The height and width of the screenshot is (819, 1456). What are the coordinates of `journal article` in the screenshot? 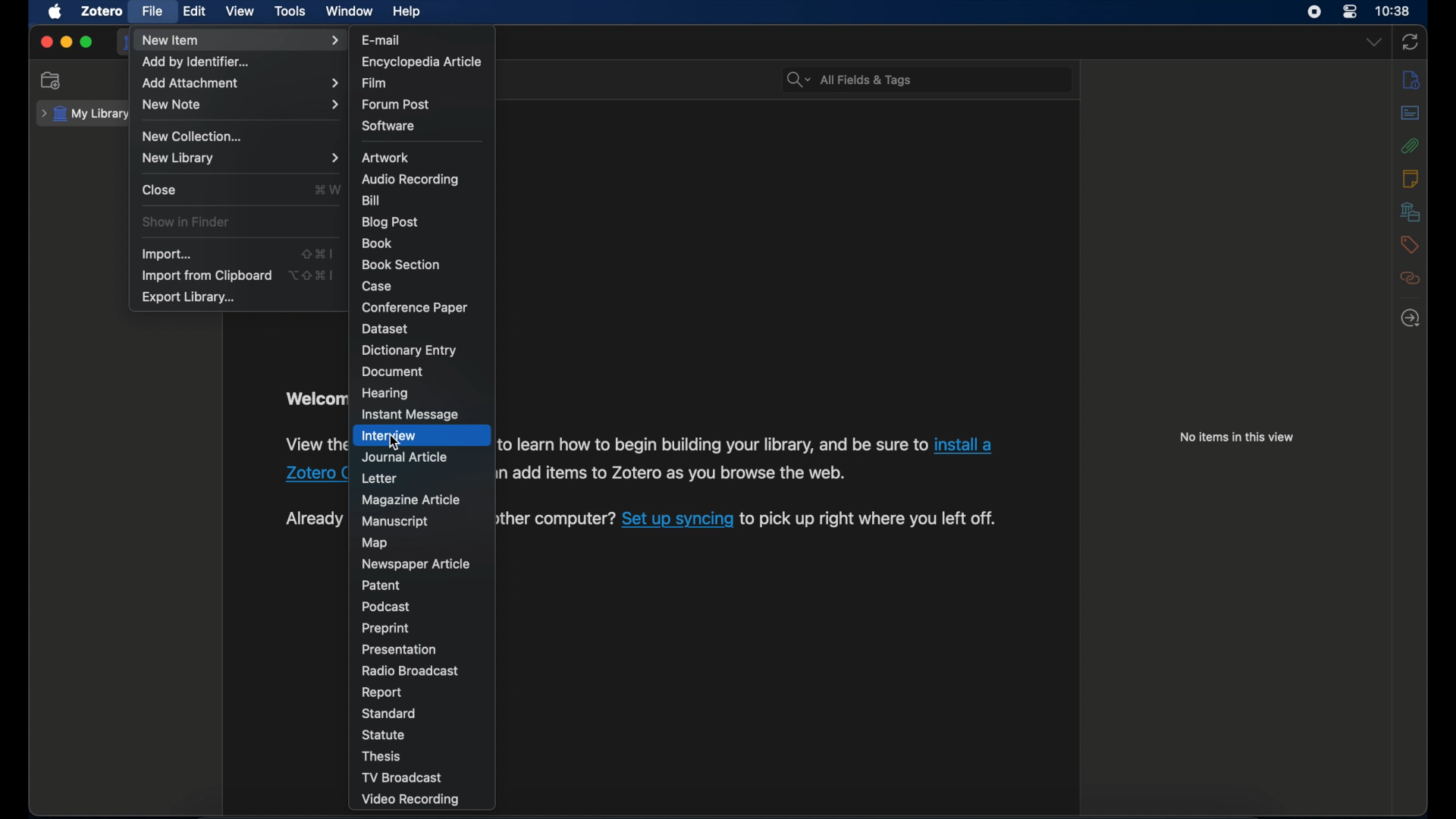 It's located at (404, 457).